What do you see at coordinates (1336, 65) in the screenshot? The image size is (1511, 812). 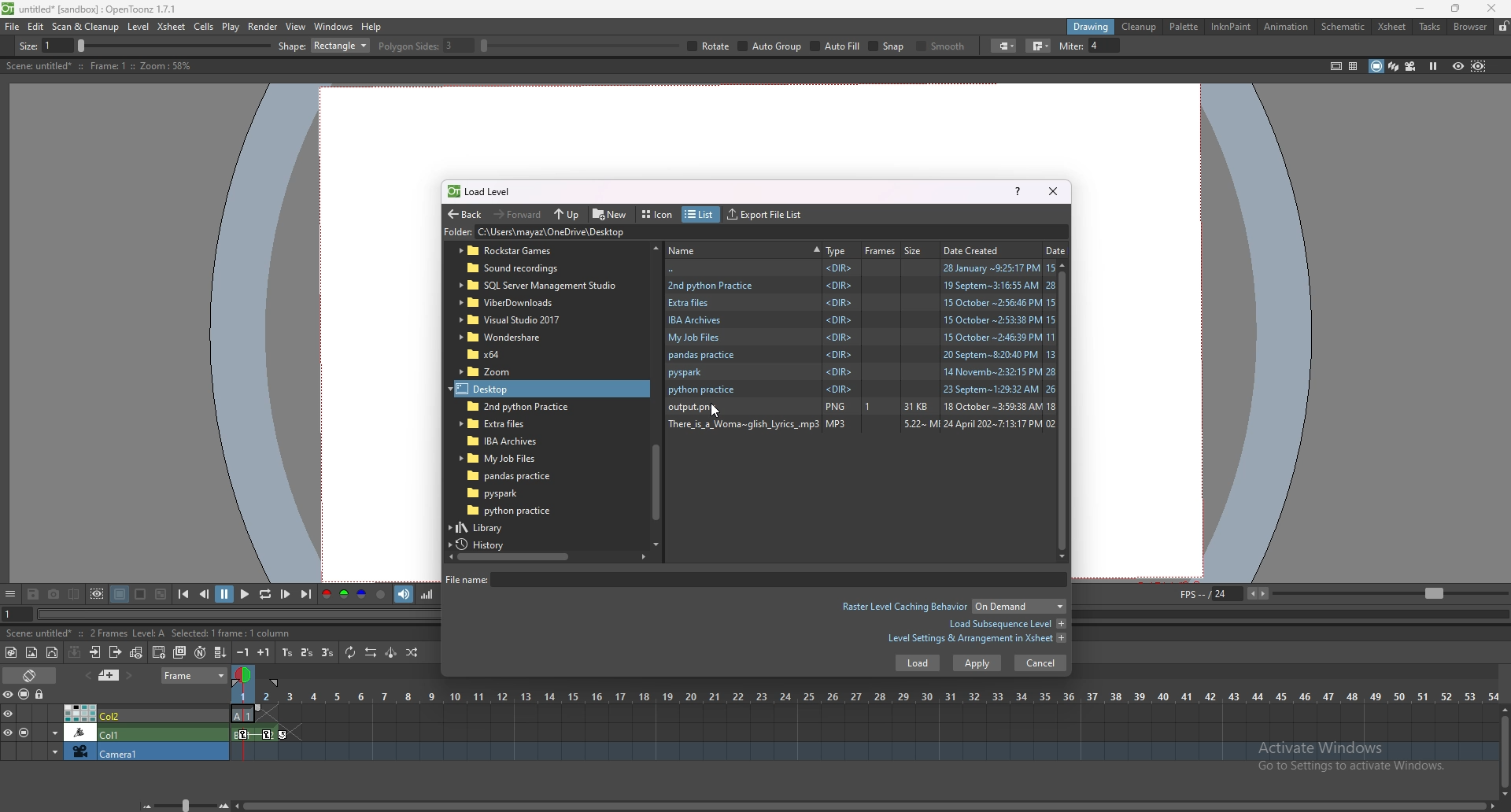 I see `safe area` at bounding box center [1336, 65].